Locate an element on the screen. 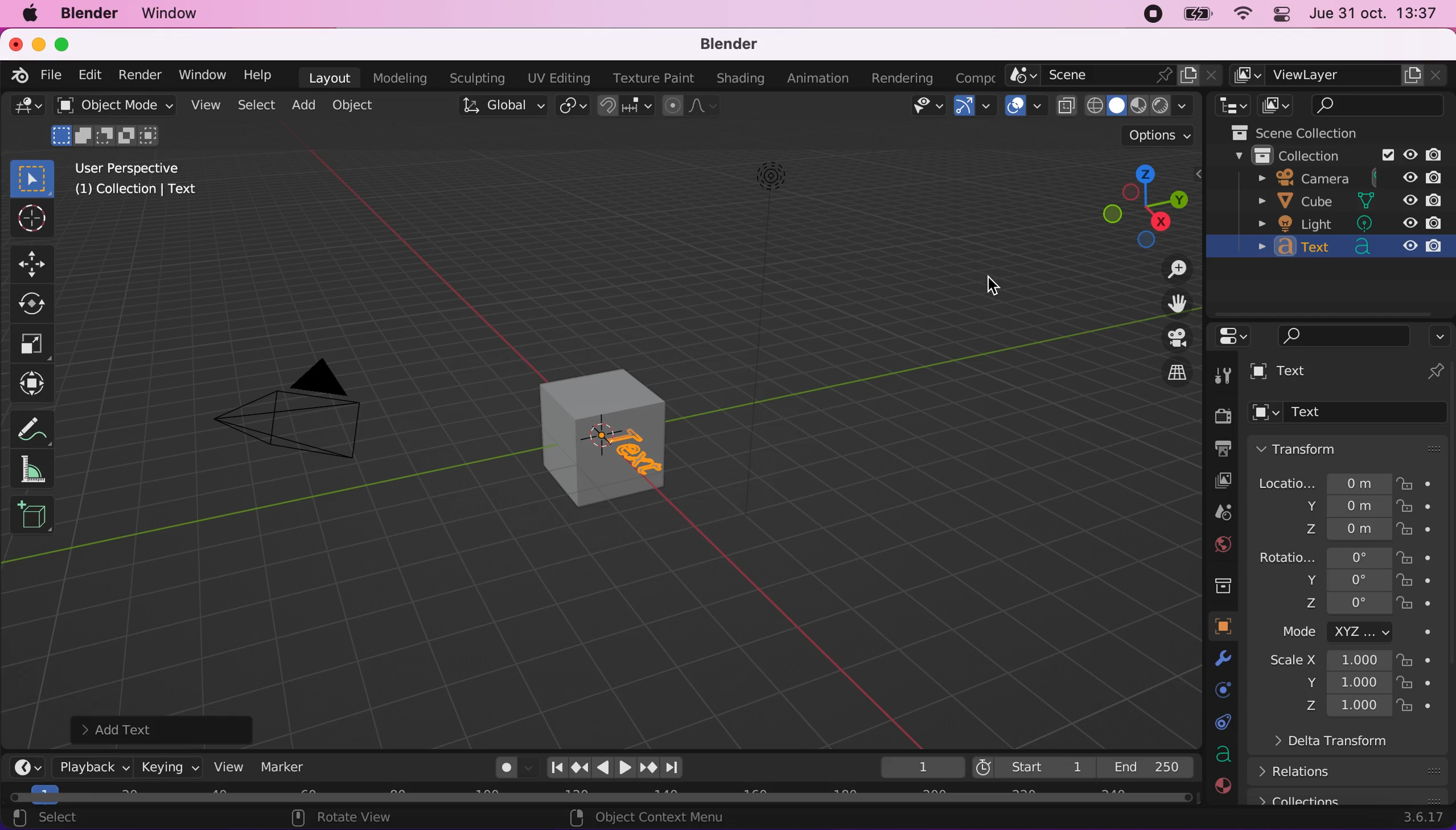  end 250 is located at coordinates (1145, 767).